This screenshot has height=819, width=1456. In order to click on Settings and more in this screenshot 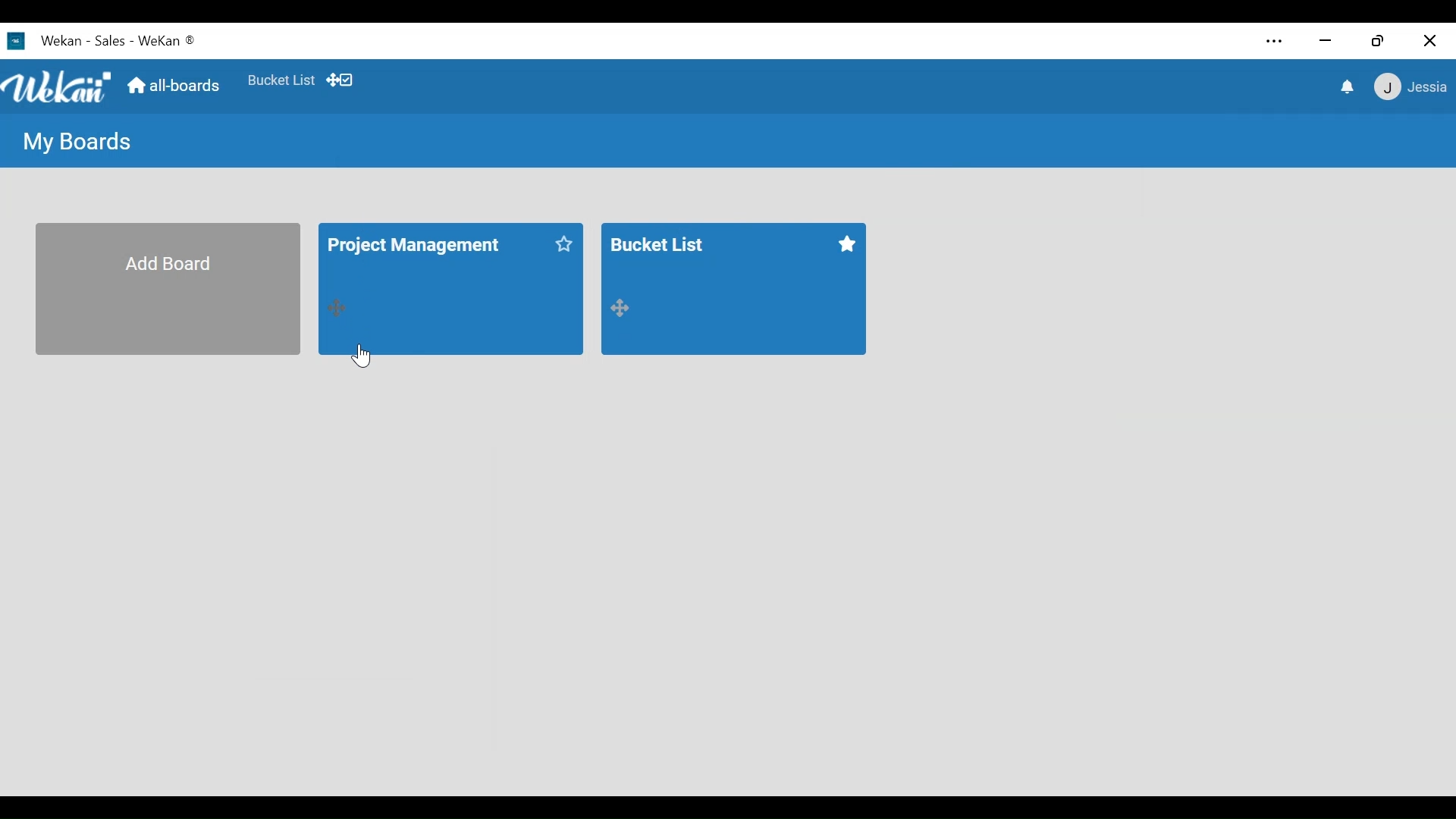, I will do `click(1268, 39)`.